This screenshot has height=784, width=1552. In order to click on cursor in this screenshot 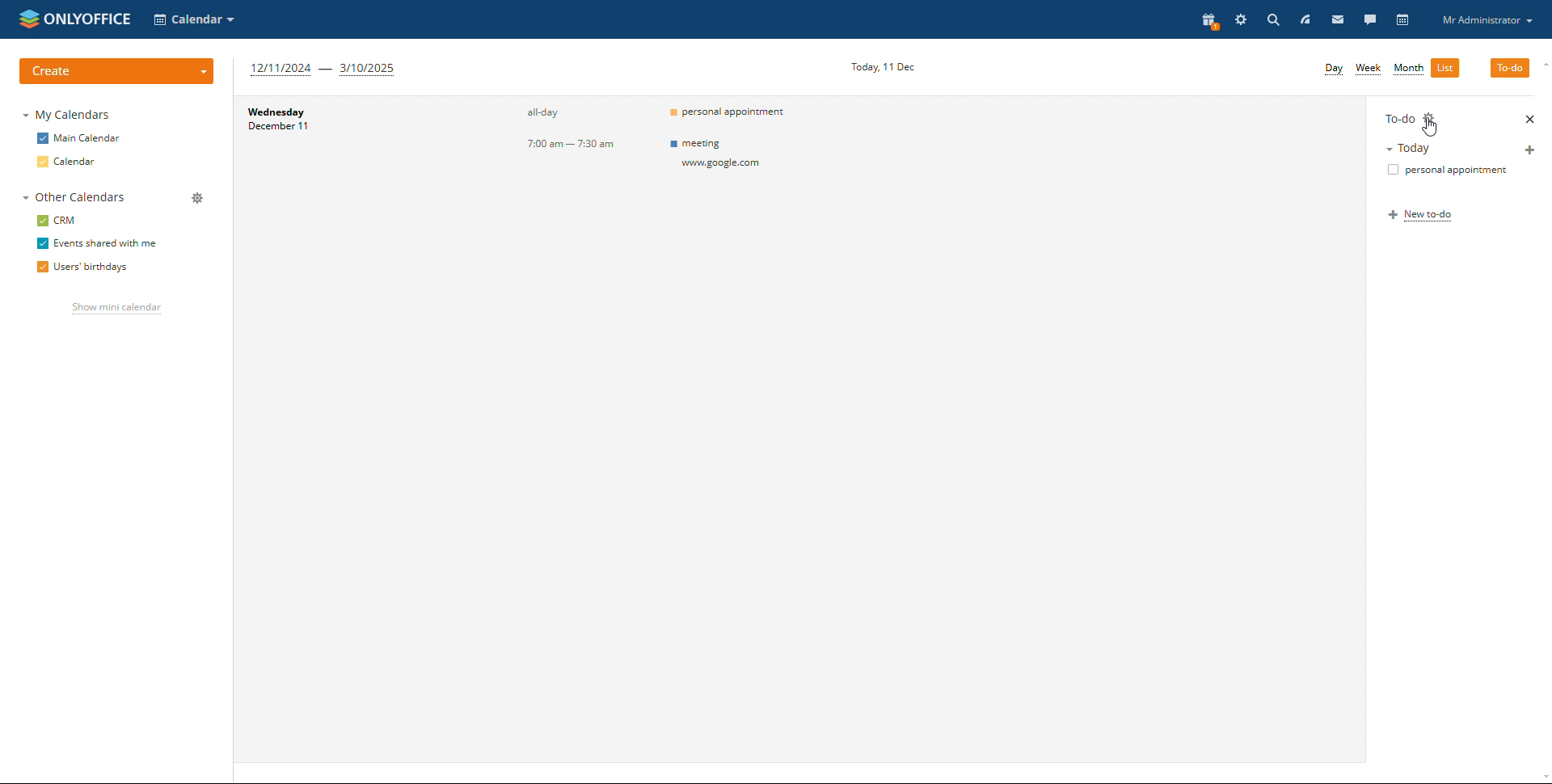, I will do `click(1430, 128)`.